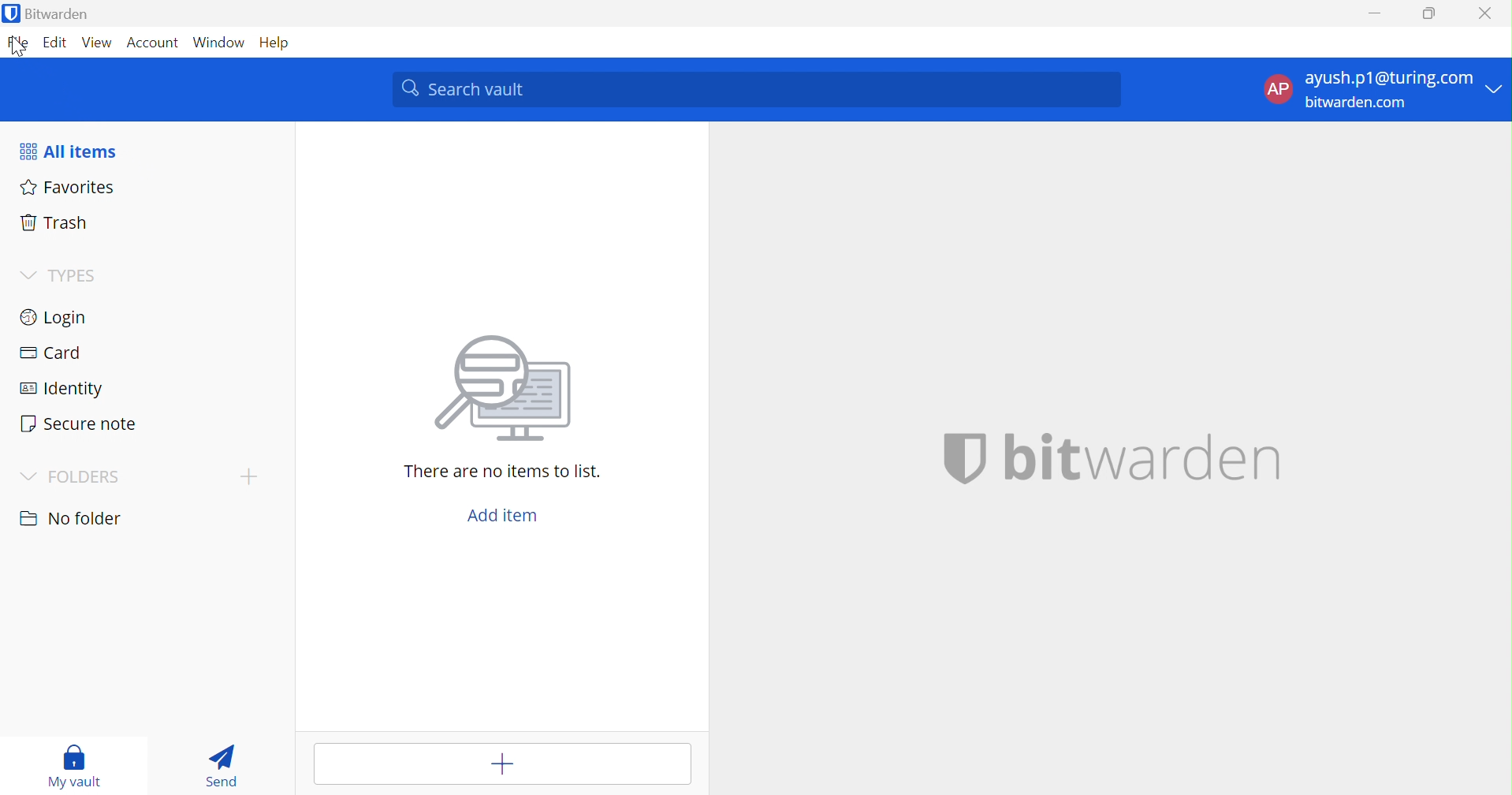 The width and height of the screenshot is (1512, 795). Describe the element at coordinates (58, 318) in the screenshot. I see `Login` at that location.